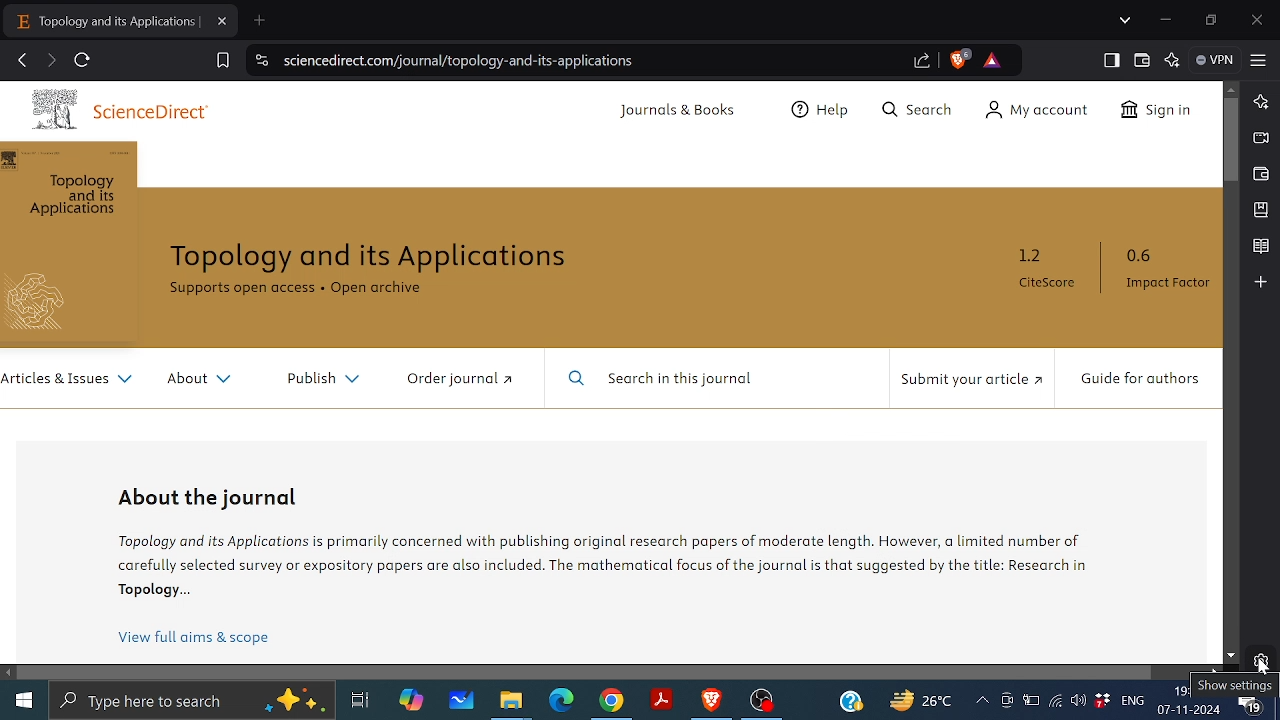  Describe the element at coordinates (564, 701) in the screenshot. I see `Microsoft edge` at that location.